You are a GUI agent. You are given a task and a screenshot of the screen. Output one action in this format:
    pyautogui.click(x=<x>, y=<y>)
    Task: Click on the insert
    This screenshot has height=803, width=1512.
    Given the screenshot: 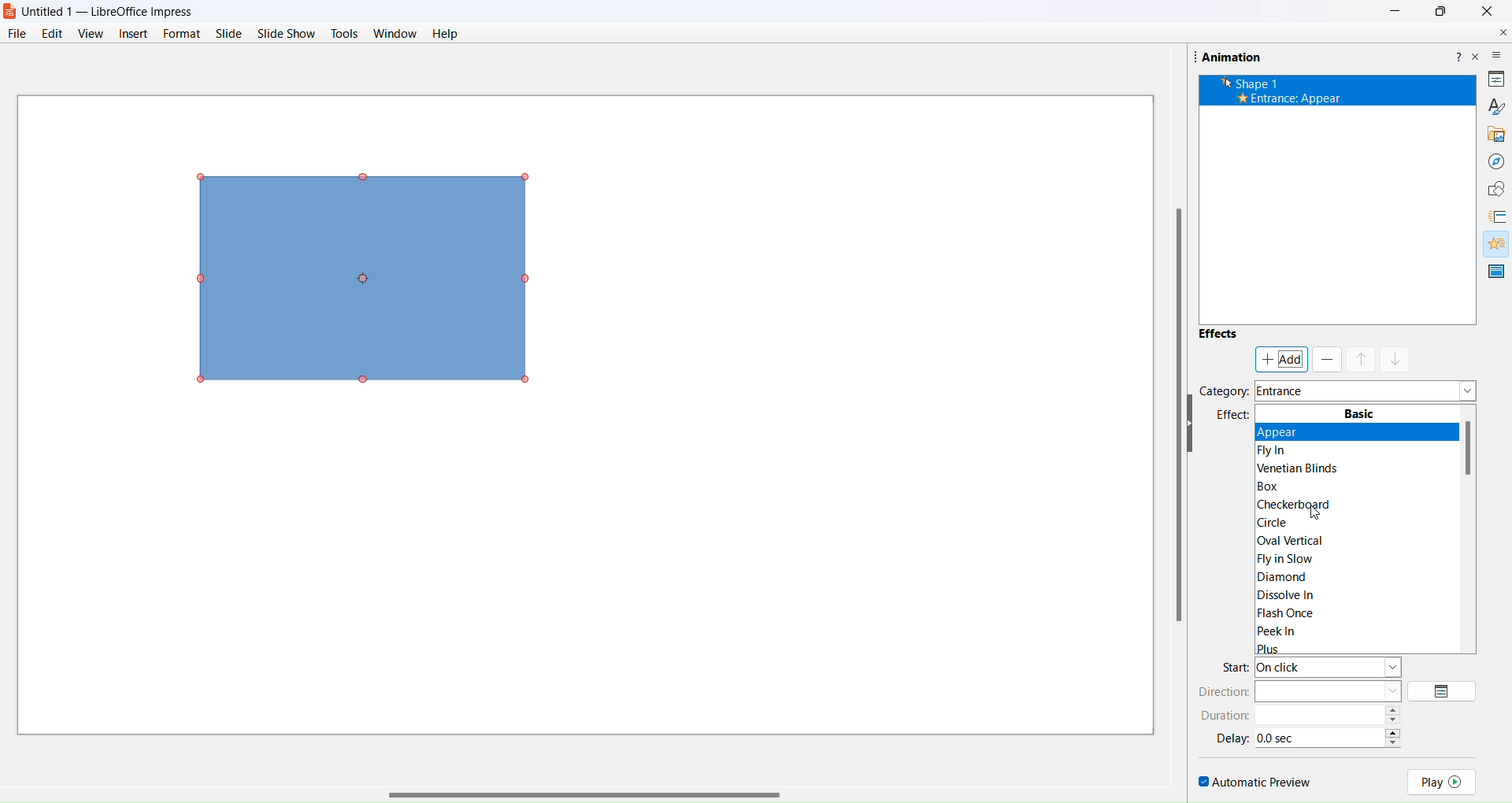 What is the action you would take?
    pyautogui.click(x=133, y=32)
    